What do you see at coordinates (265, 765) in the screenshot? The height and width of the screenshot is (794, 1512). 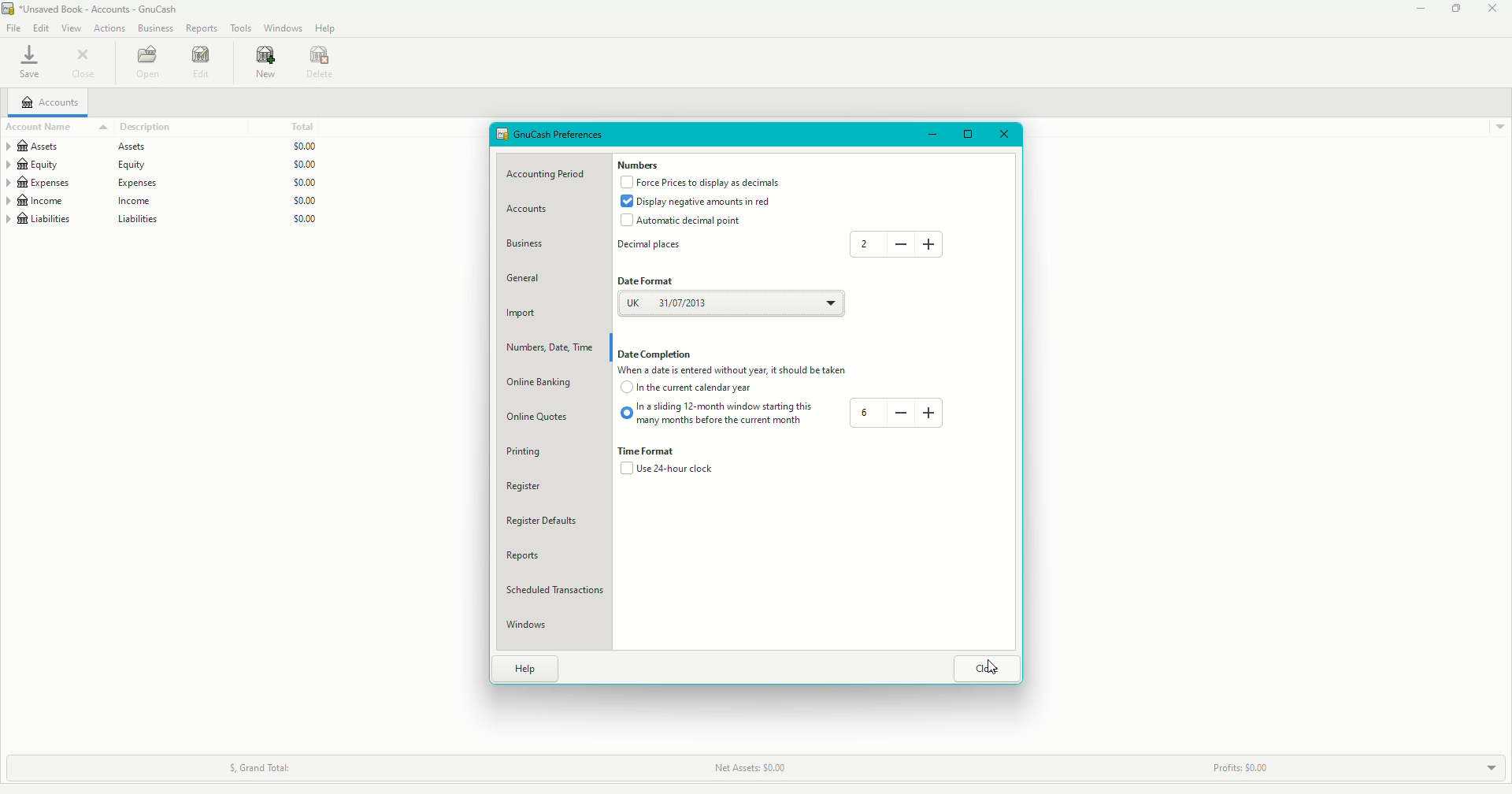 I see `Grand Total` at bounding box center [265, 765].